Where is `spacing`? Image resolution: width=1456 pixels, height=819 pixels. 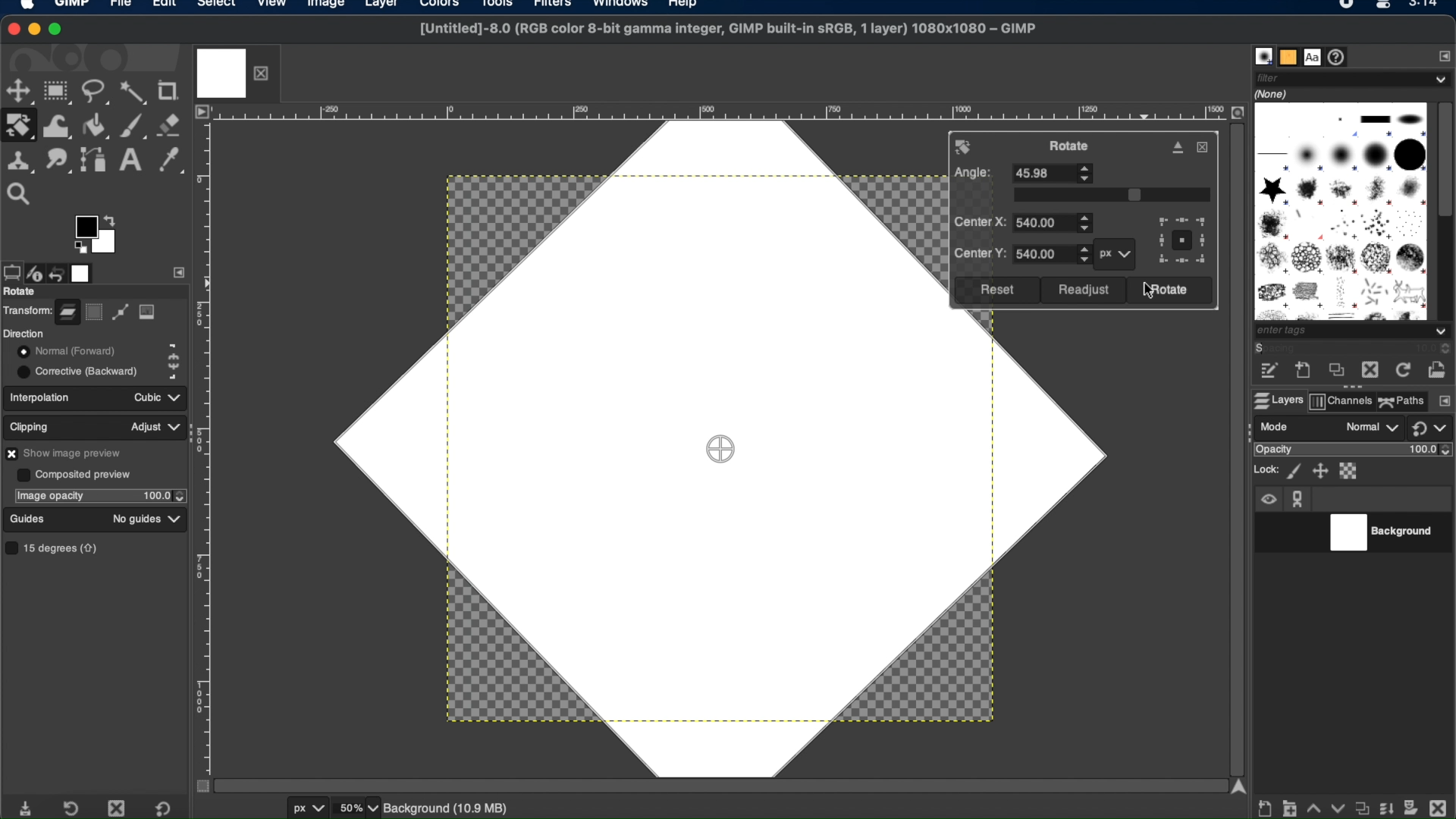
spacing is located at coordinates (1292, 350).